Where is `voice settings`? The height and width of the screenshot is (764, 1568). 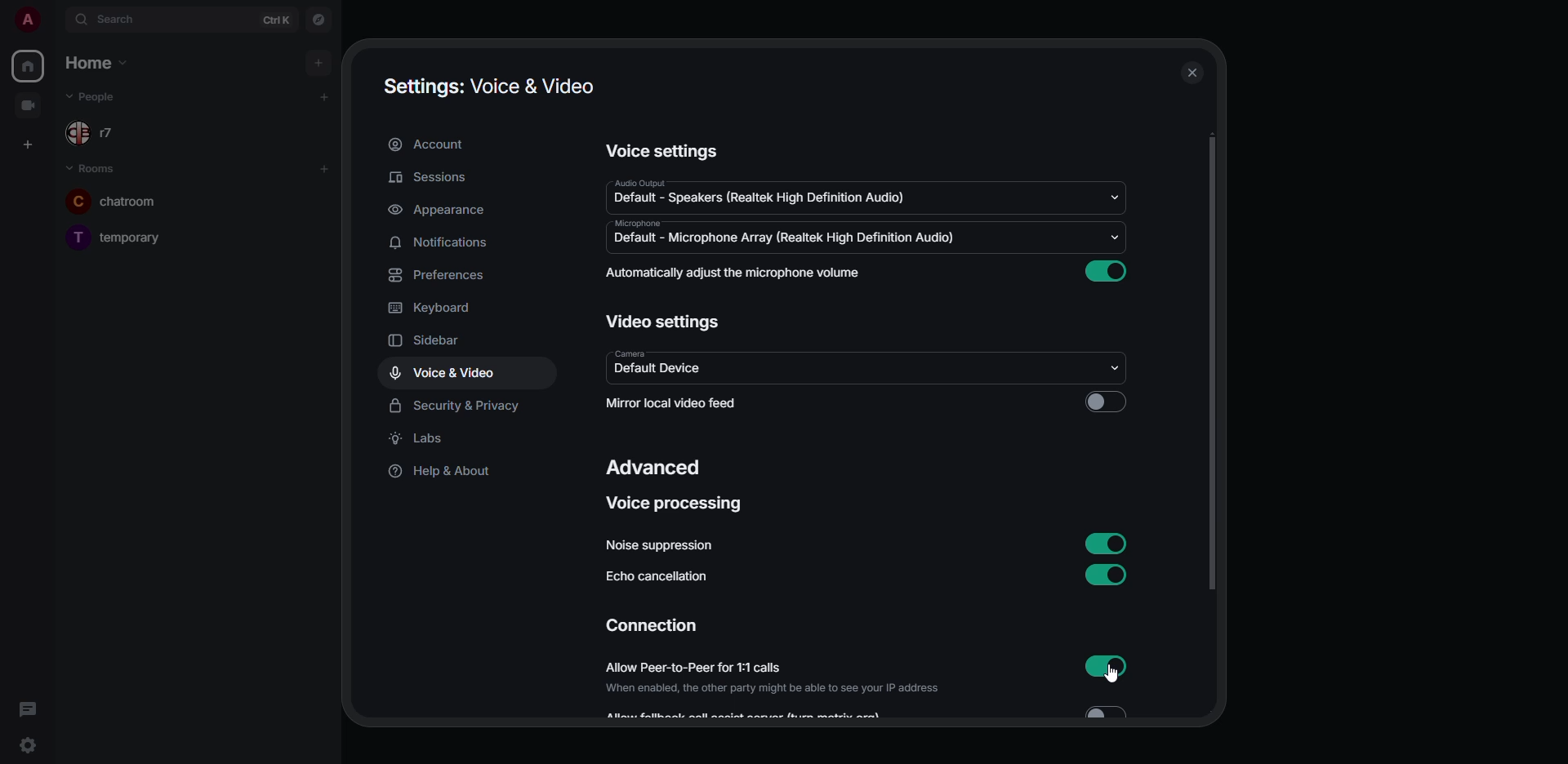
voice settings is located at coordinates (661, 151).